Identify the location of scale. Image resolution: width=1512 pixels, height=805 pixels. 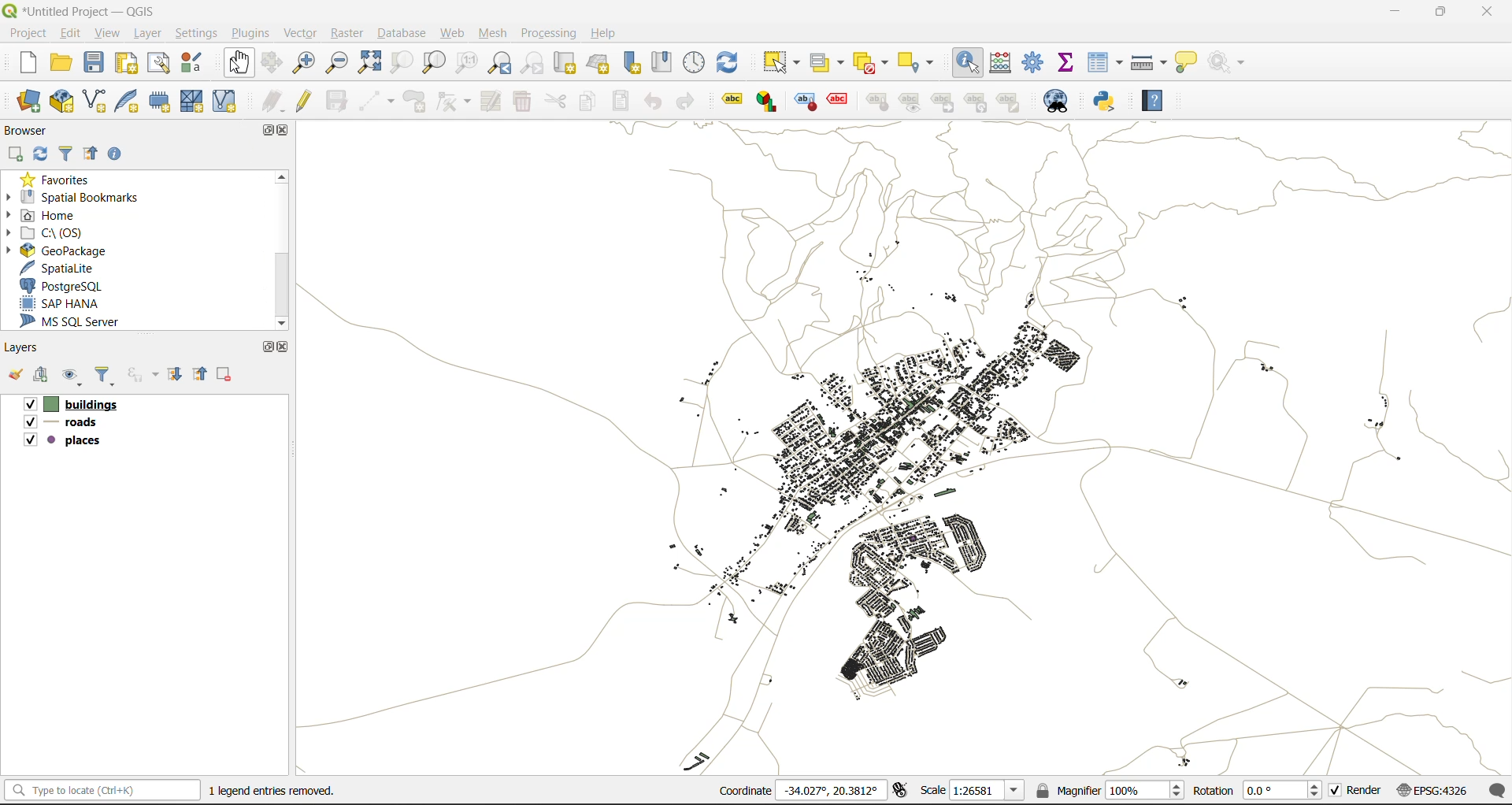
(972, 792).